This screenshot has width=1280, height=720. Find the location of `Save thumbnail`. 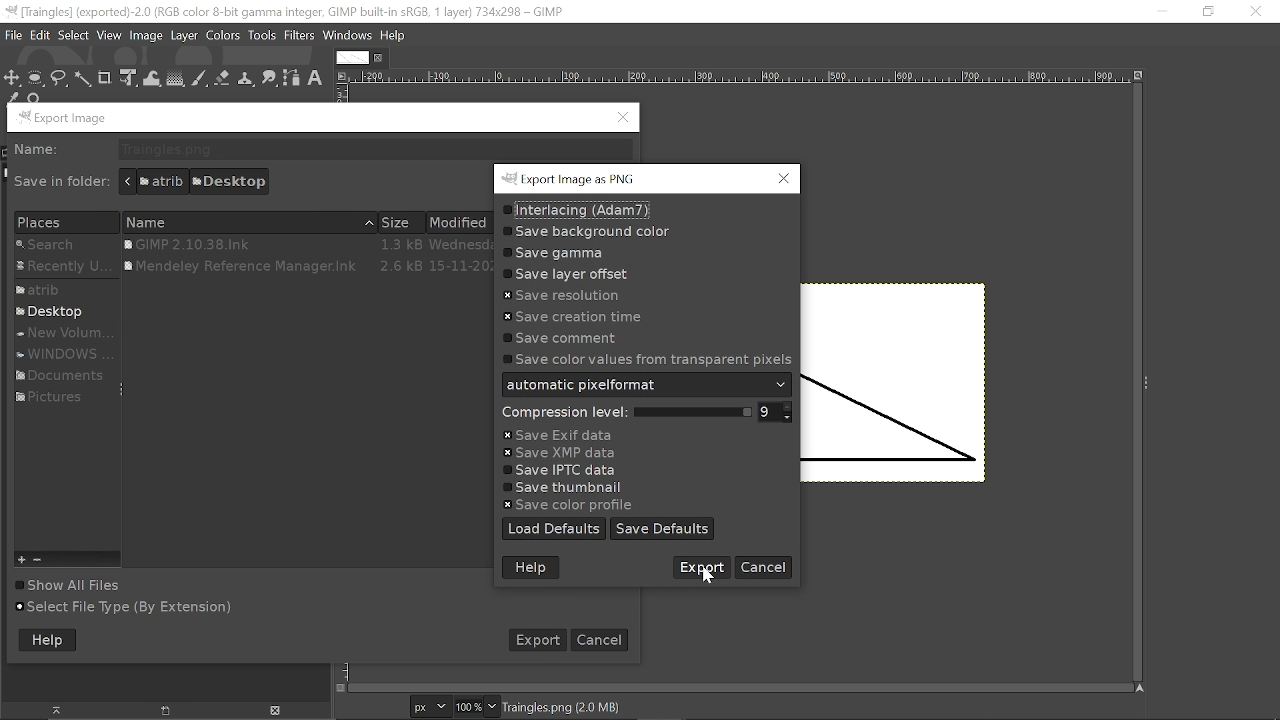

Save thumbnail is located at coordinates (570, 487).